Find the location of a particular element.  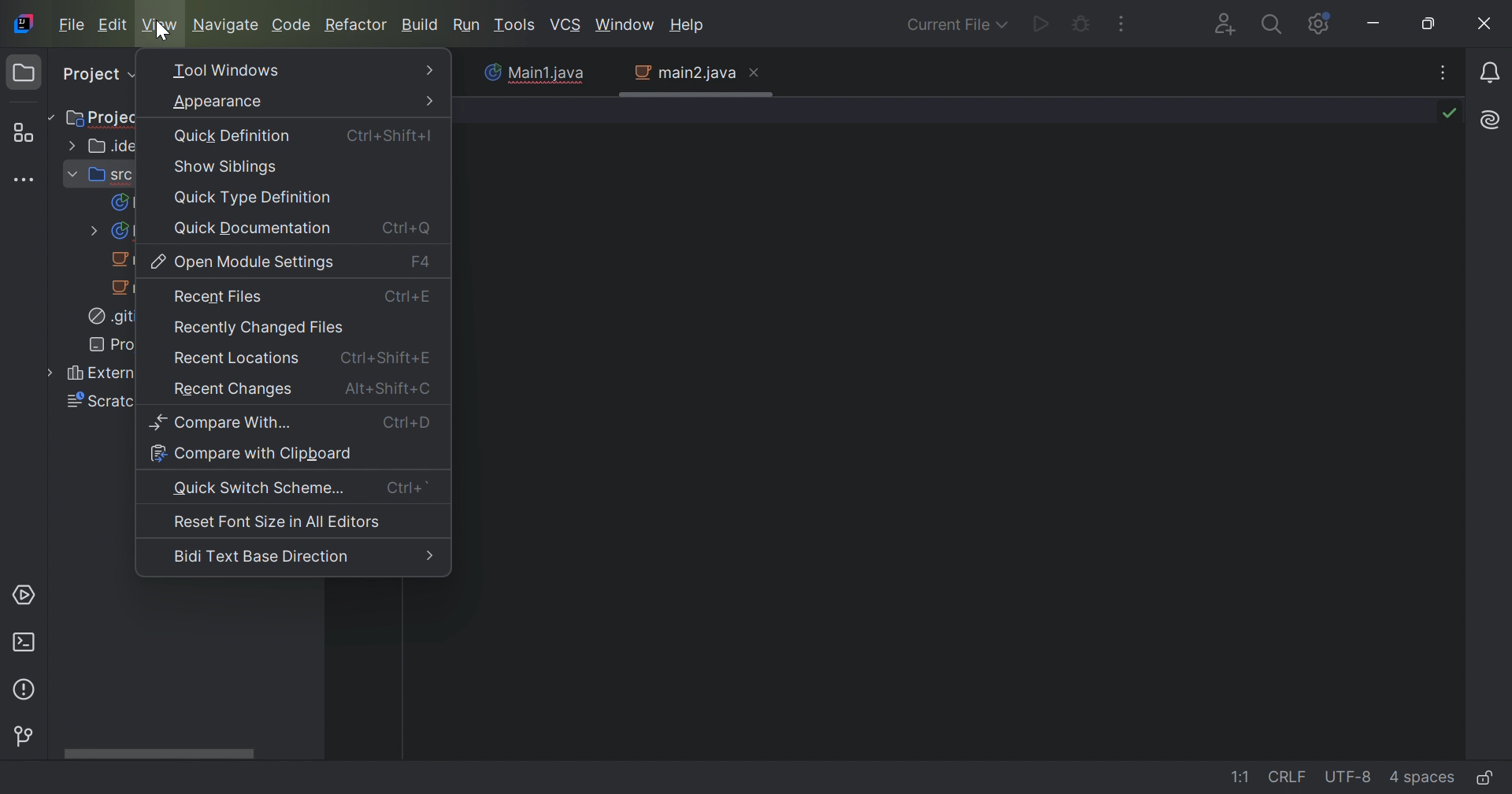

Tool Windows is located at coordinates (228, 72).